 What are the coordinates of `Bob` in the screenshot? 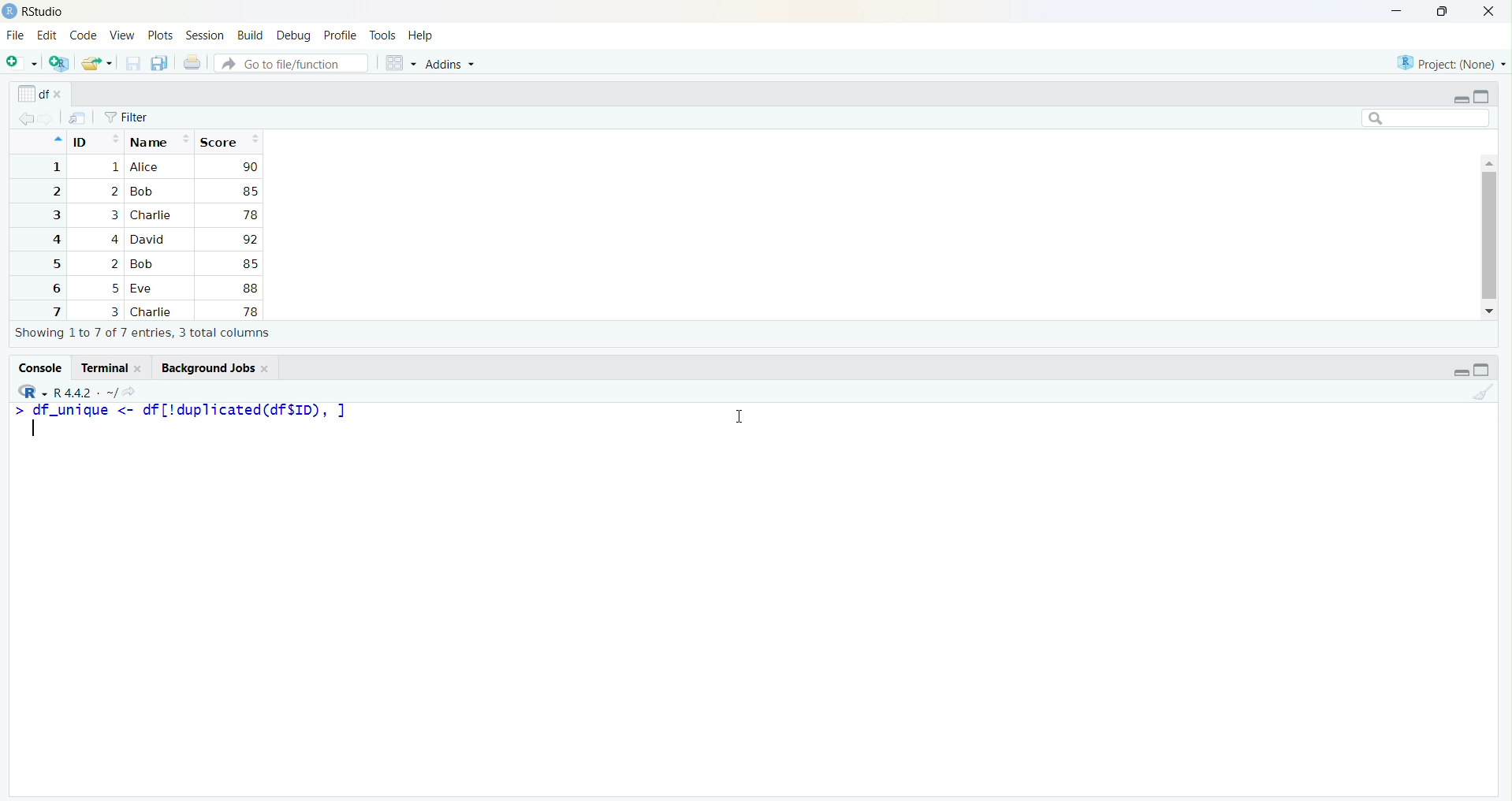 It's located at (142, 192).